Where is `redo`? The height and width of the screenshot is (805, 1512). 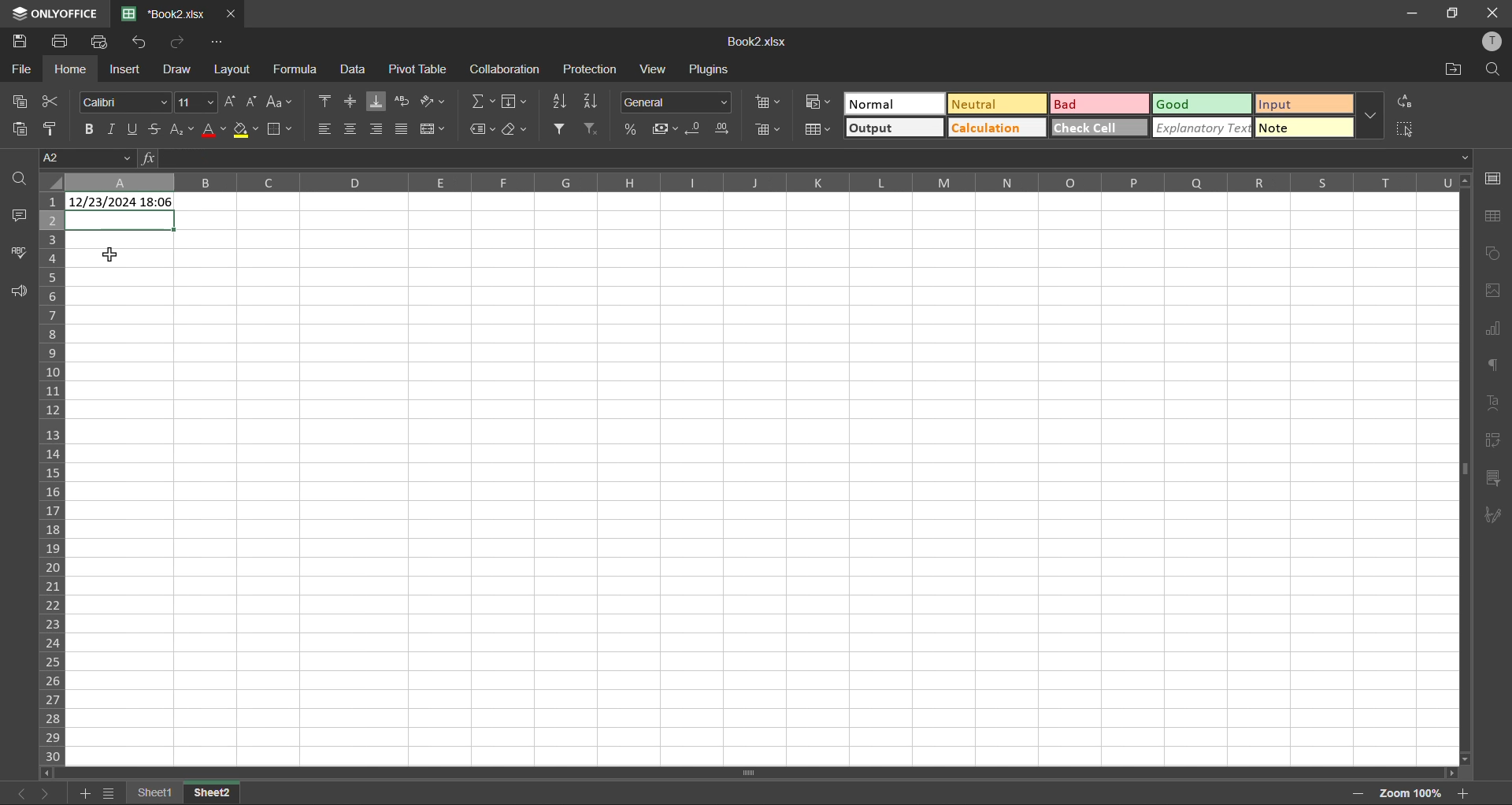
redo is located at coordinates (178, 43).